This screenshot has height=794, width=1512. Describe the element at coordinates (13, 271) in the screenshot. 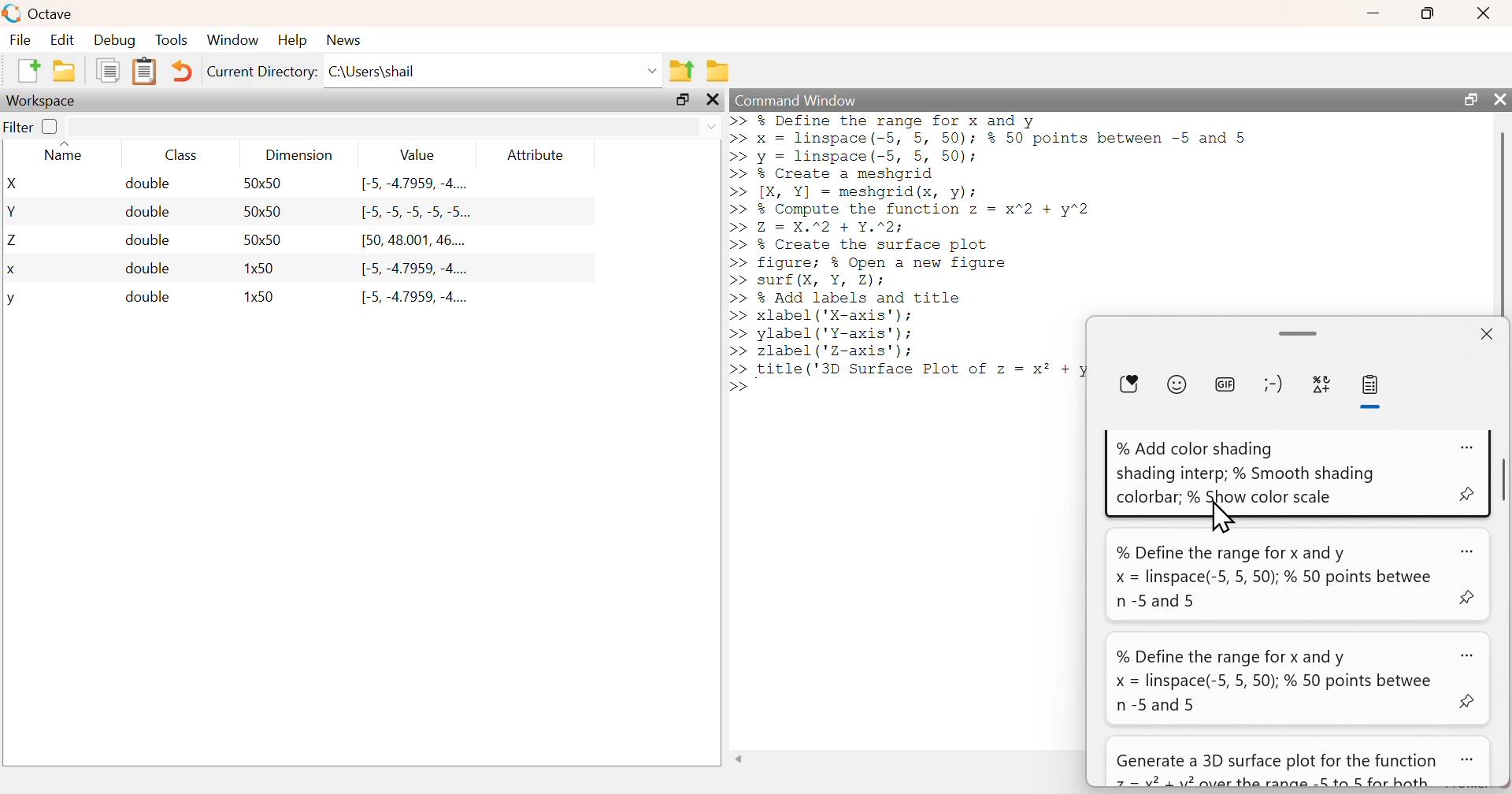

I see `x` at that location.